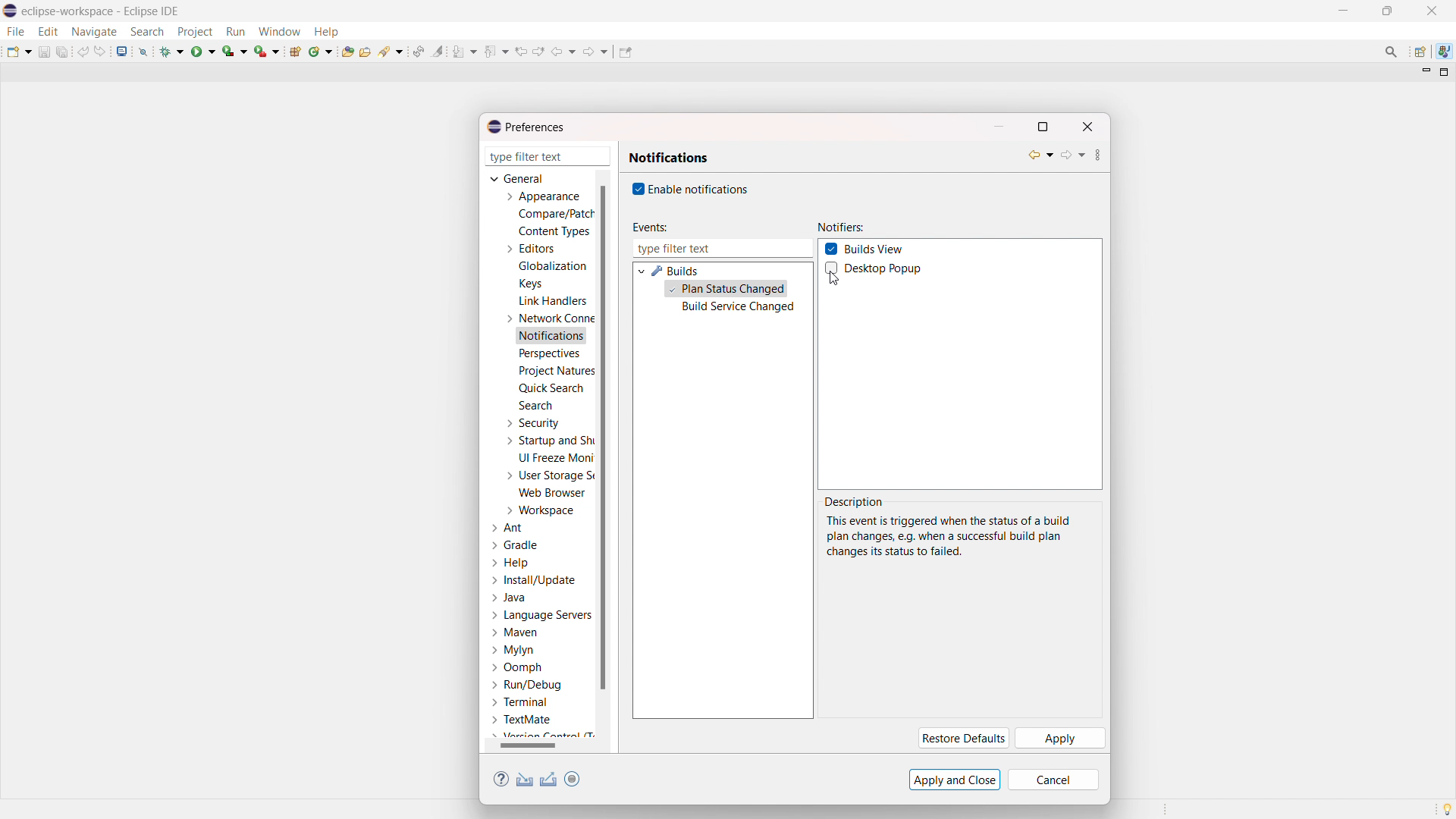 This screenshot has width=1456, height=819. Describe the element at coordinates (203, 51) in the screenshot. I see `run` at that location.